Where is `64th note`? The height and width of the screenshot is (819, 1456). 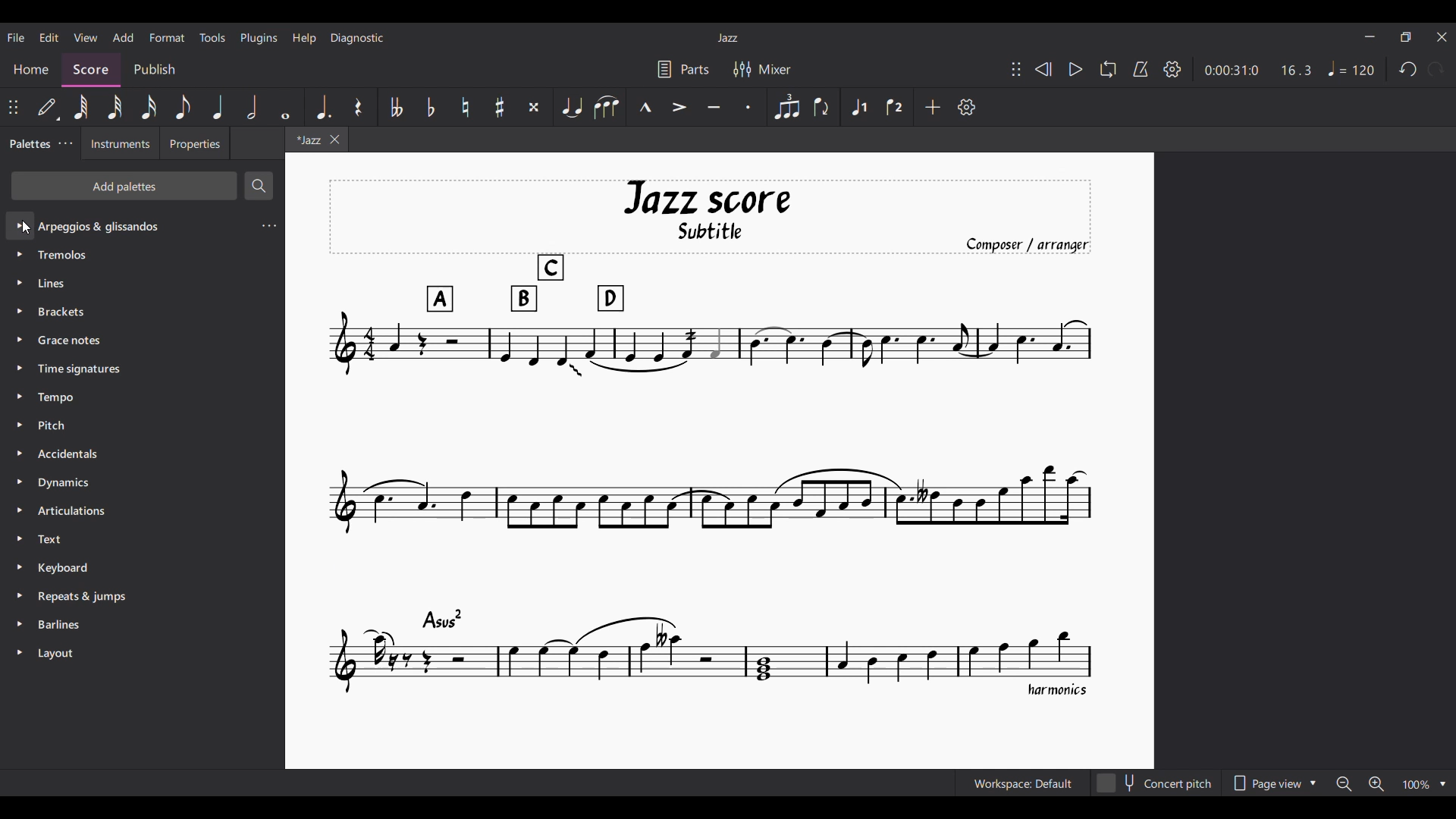
64th note is located at coordinates (81, 107).